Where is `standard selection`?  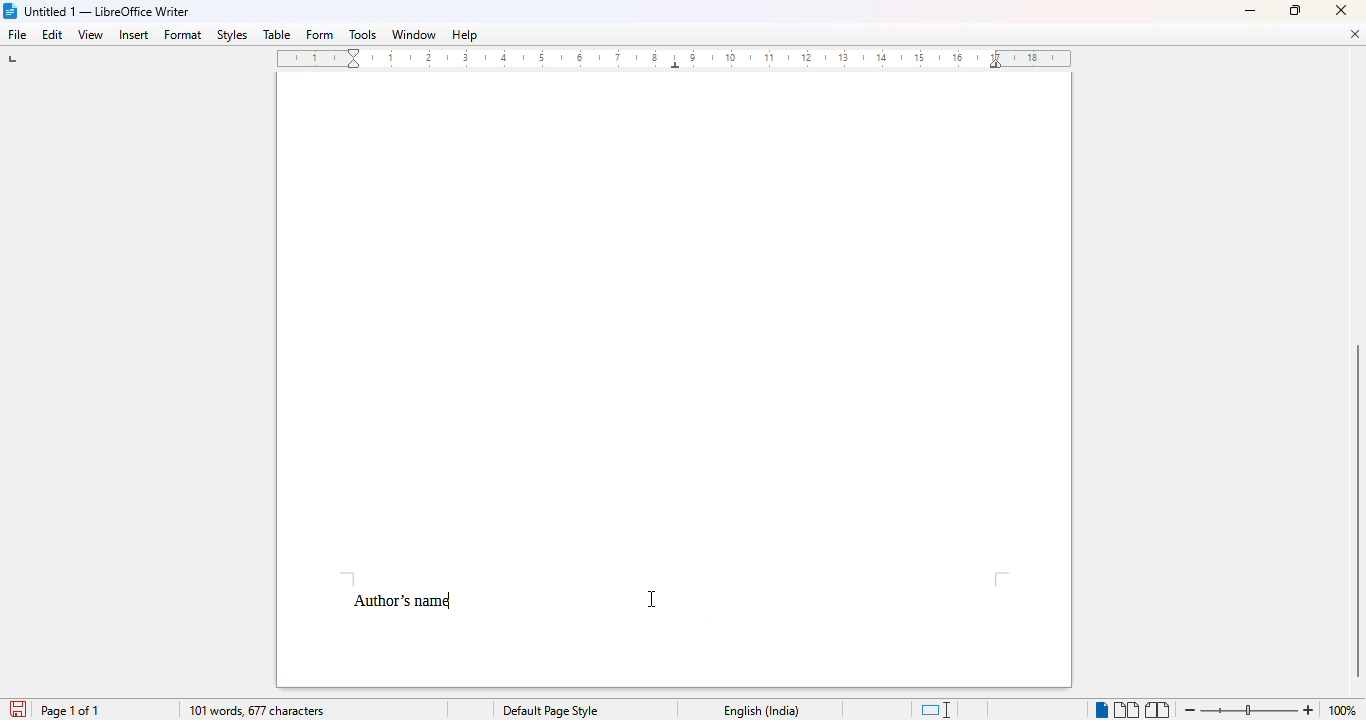
standard selection is located at coordinates (937, 710).